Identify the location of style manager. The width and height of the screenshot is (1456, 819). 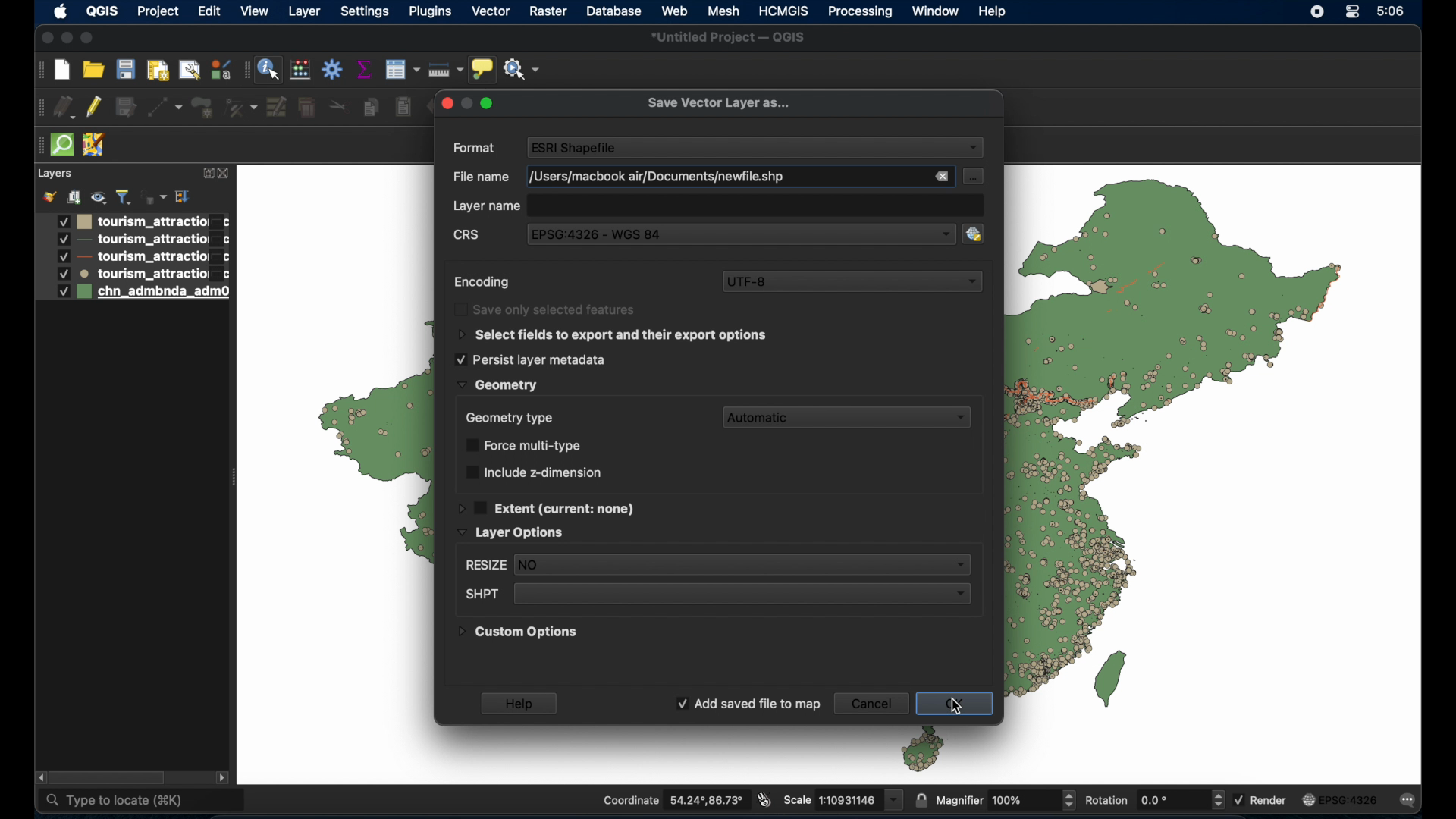
(219, 68).